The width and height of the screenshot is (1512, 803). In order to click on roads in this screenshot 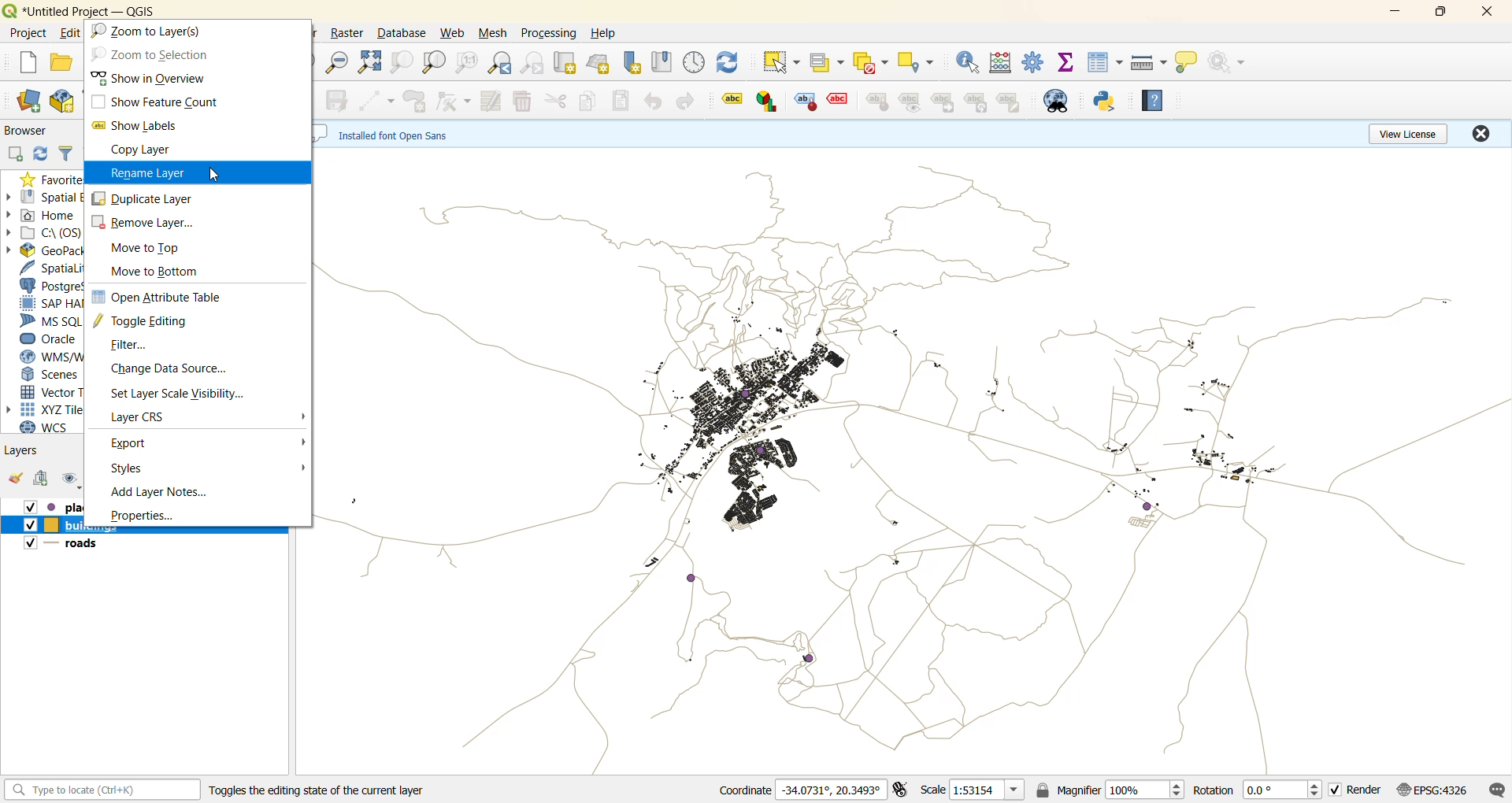, I will do `click(88, 549)`.